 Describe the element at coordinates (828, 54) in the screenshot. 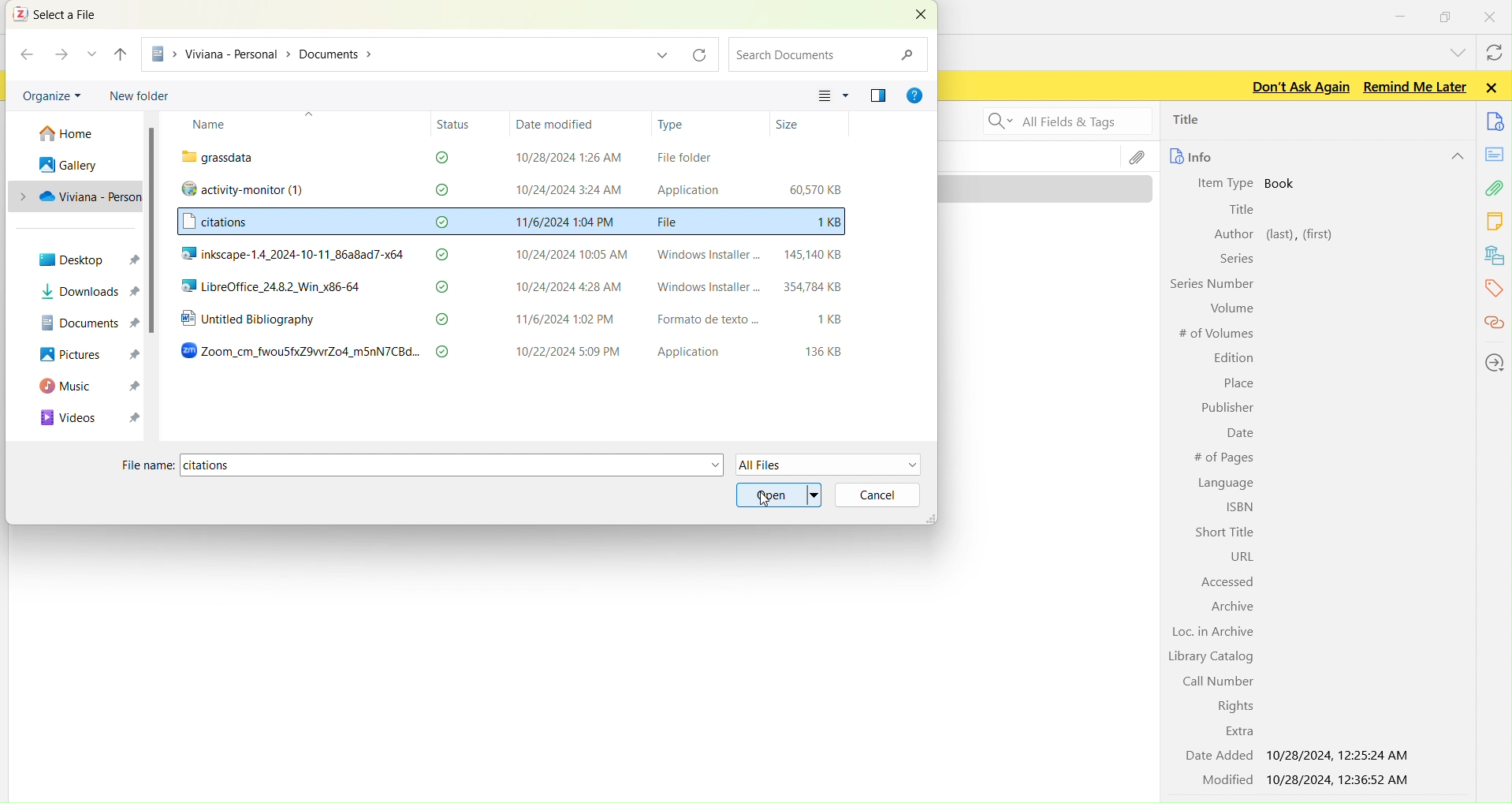

I see `search documents` at that location.